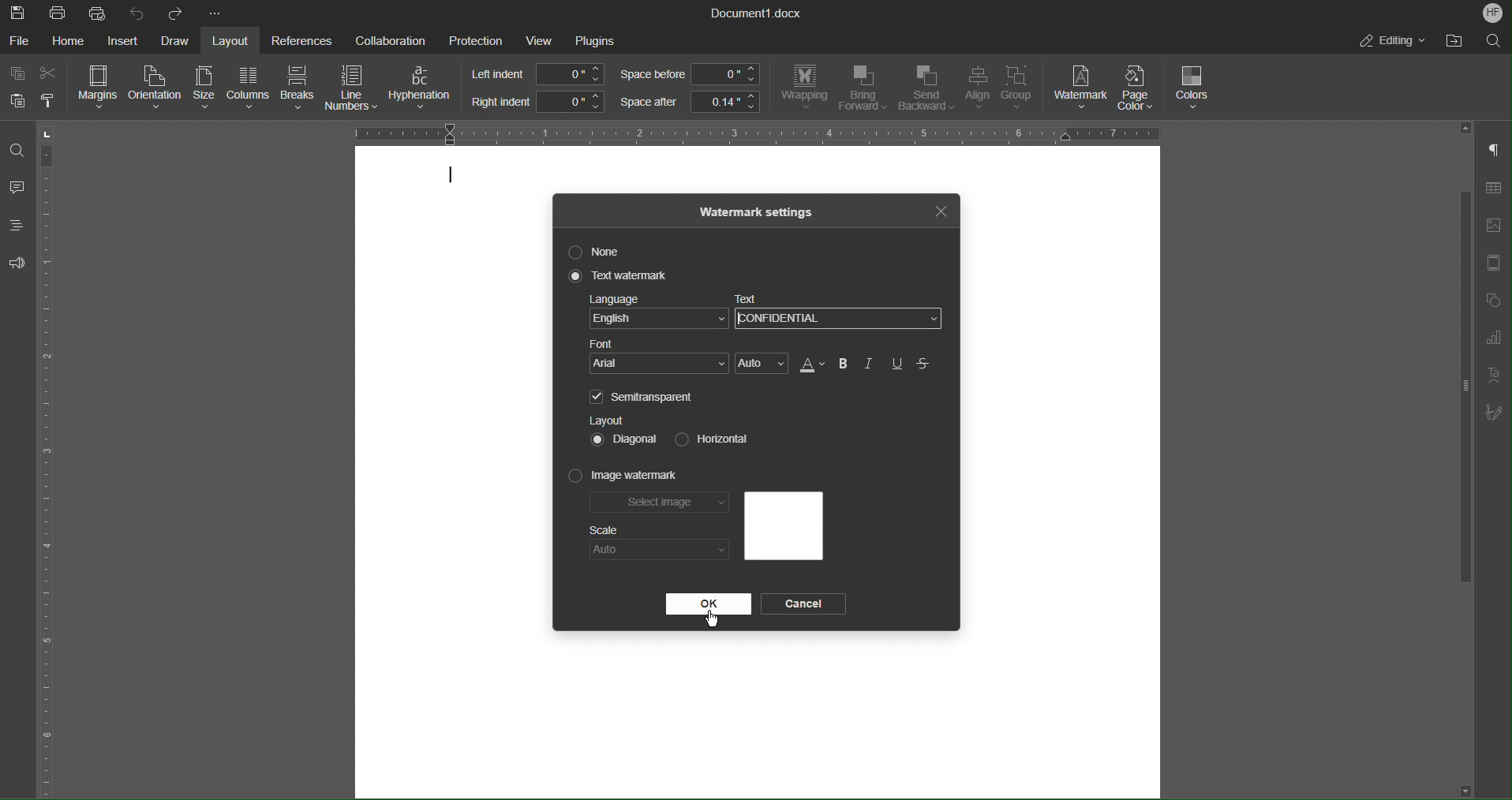 The image size is (1512, 800). I want to click on Insert Image, so click(1493, 226).